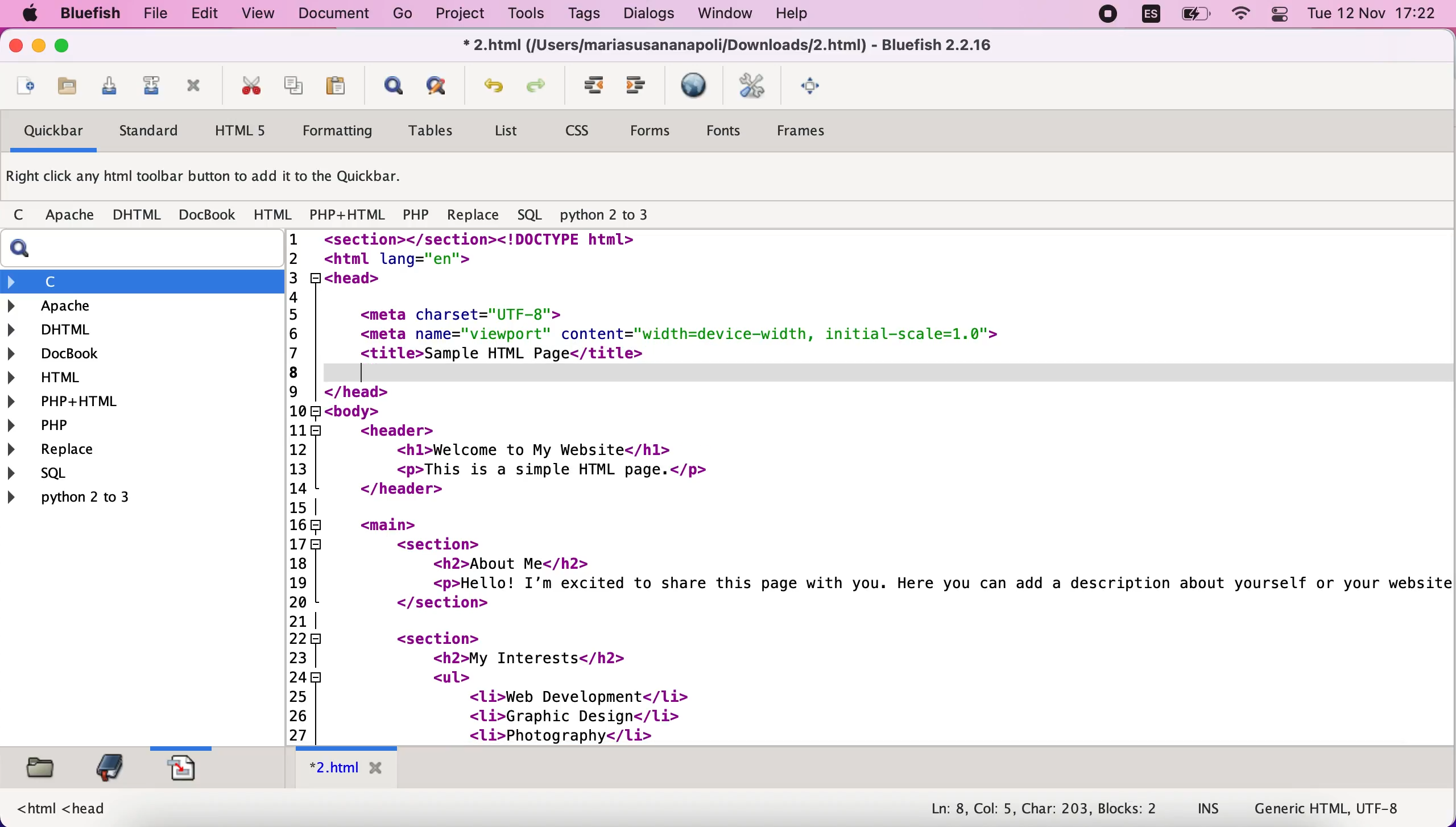 The width and height of the screenshot is (1456, 827). Describe the element at coordinates (1333, 809) in the screenshot. I see `generic html, UTF-8` at that location.